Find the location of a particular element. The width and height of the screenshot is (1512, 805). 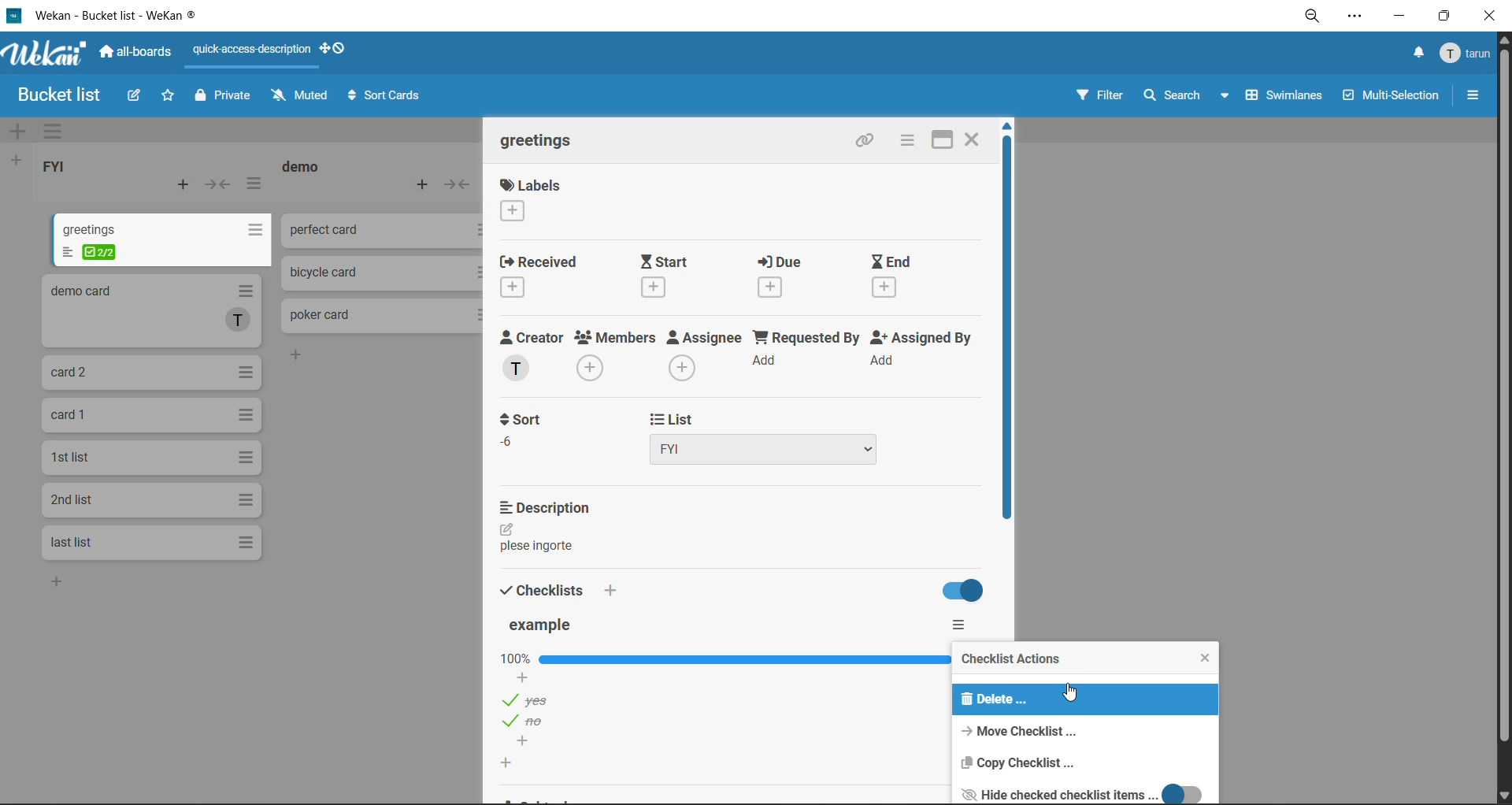

maximize is located at coordinates (940, 140).